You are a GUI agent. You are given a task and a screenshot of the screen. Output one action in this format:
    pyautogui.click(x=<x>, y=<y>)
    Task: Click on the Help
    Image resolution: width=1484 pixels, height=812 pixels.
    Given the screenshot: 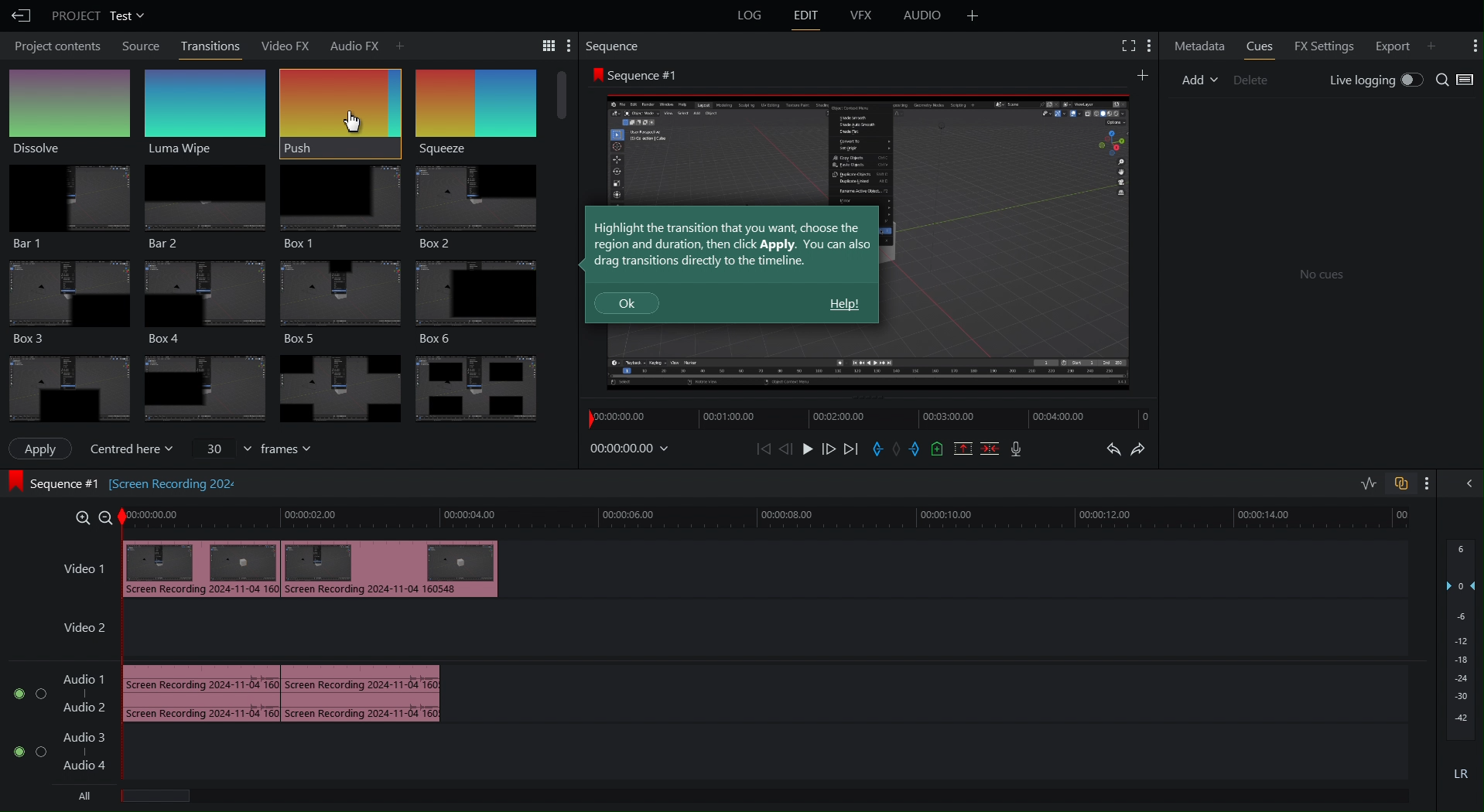 What is the action you would take?
    pyautogui.click(x=844, y=305)
    